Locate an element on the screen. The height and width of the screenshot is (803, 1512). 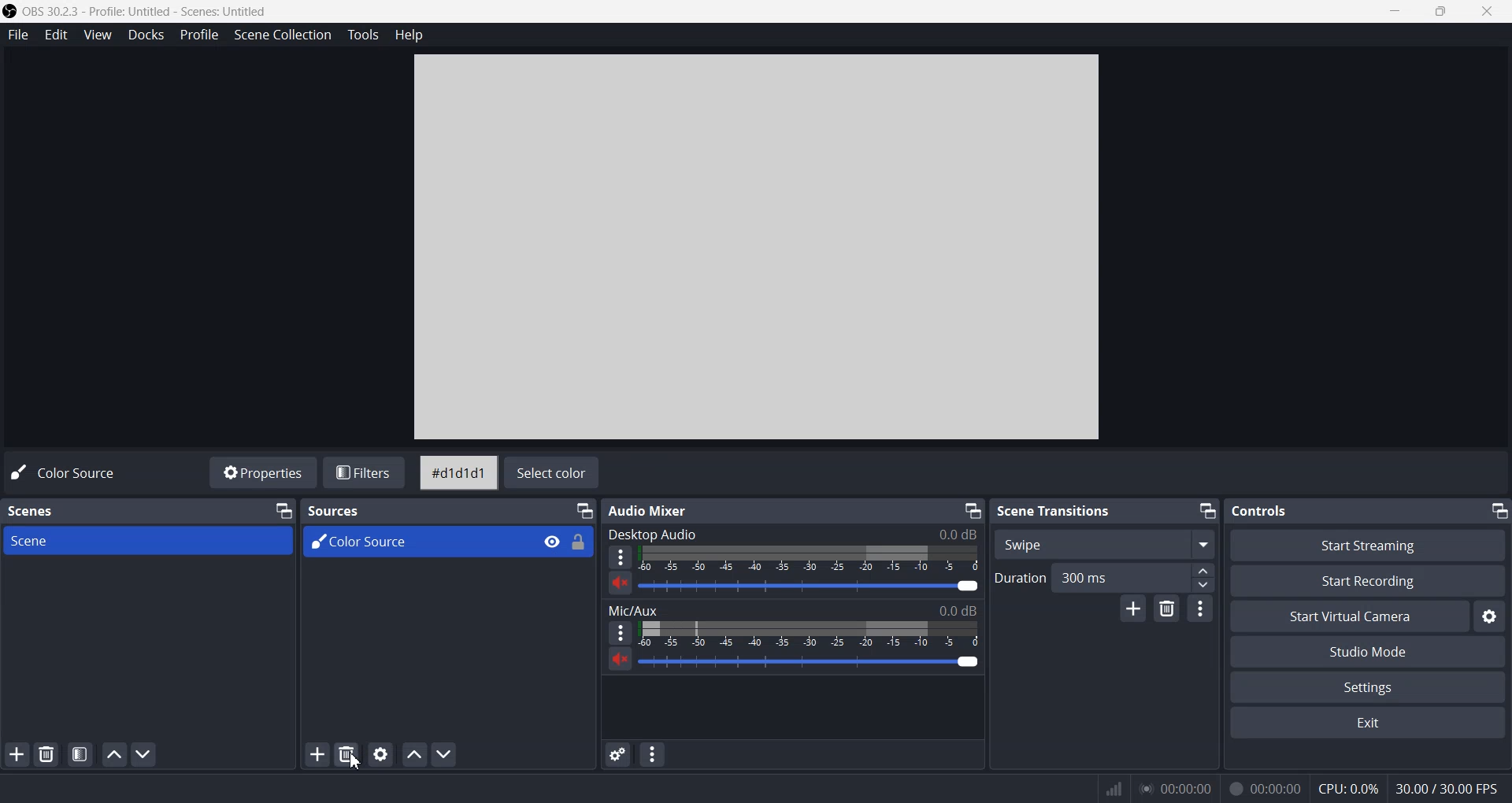
Help is located at coordinates (408, 35).